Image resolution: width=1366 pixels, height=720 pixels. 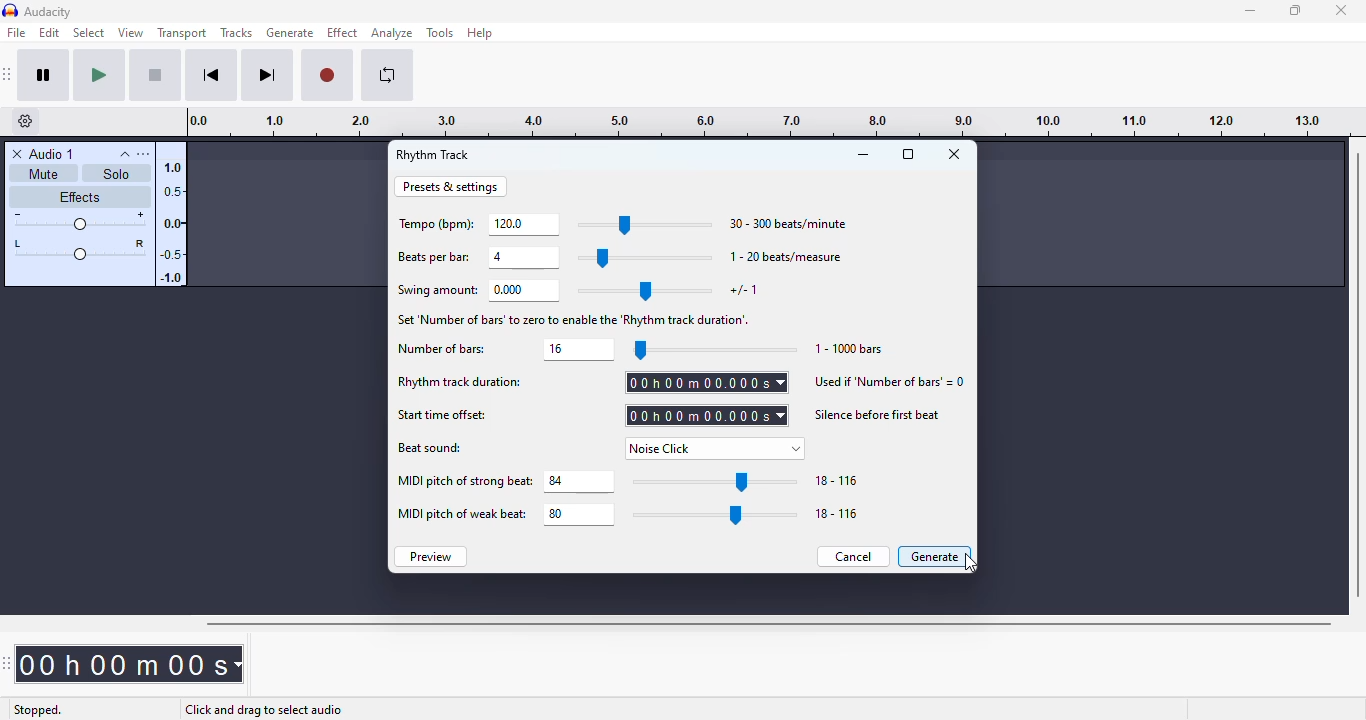 I want to click on presets & settings, so click(x=449, y=187).